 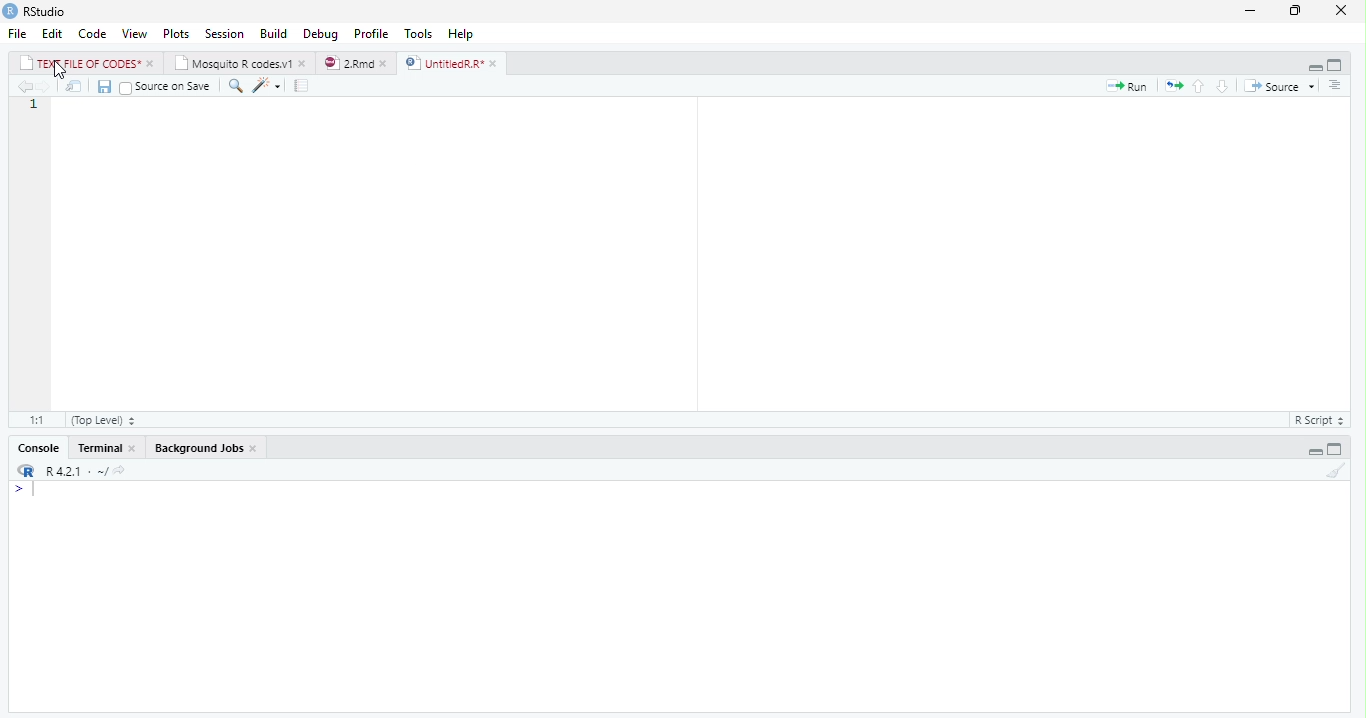 I want to click on Source on Save, so click(x=166, y=87).